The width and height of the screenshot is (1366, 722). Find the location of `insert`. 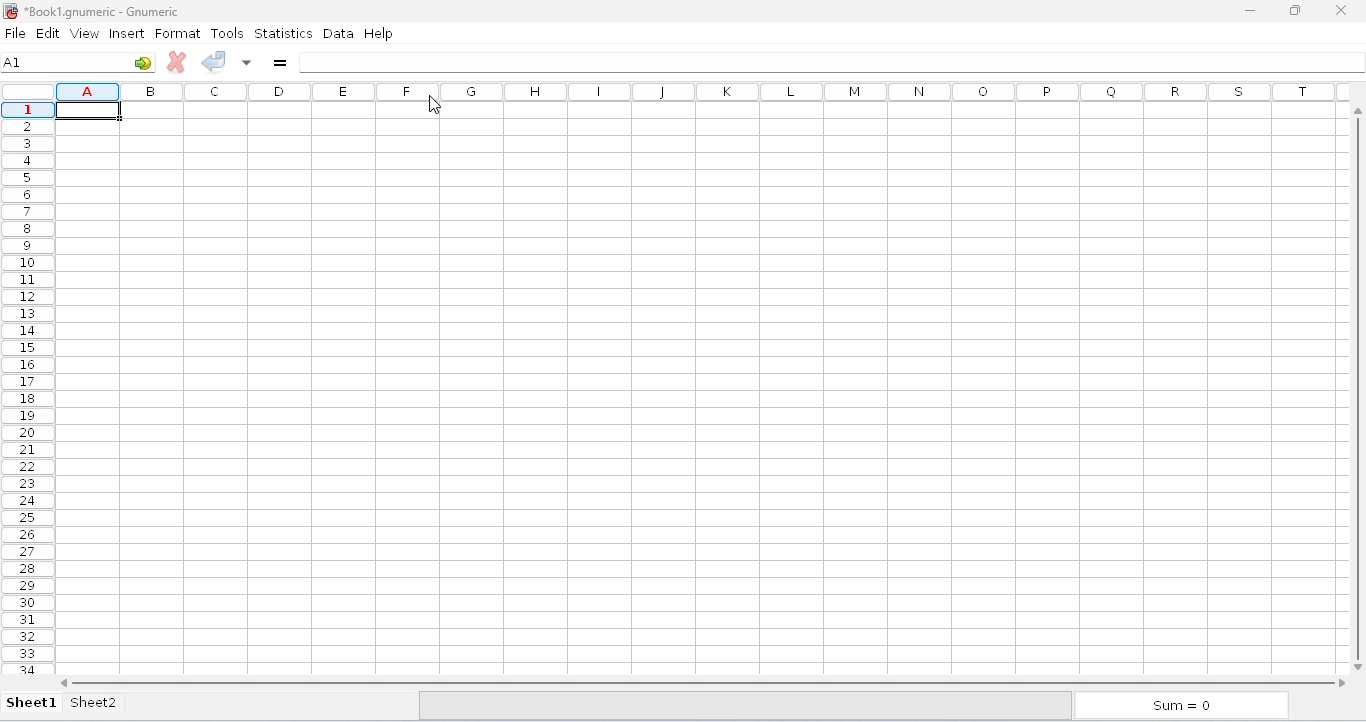

insert is located at coordinates (127, 34).